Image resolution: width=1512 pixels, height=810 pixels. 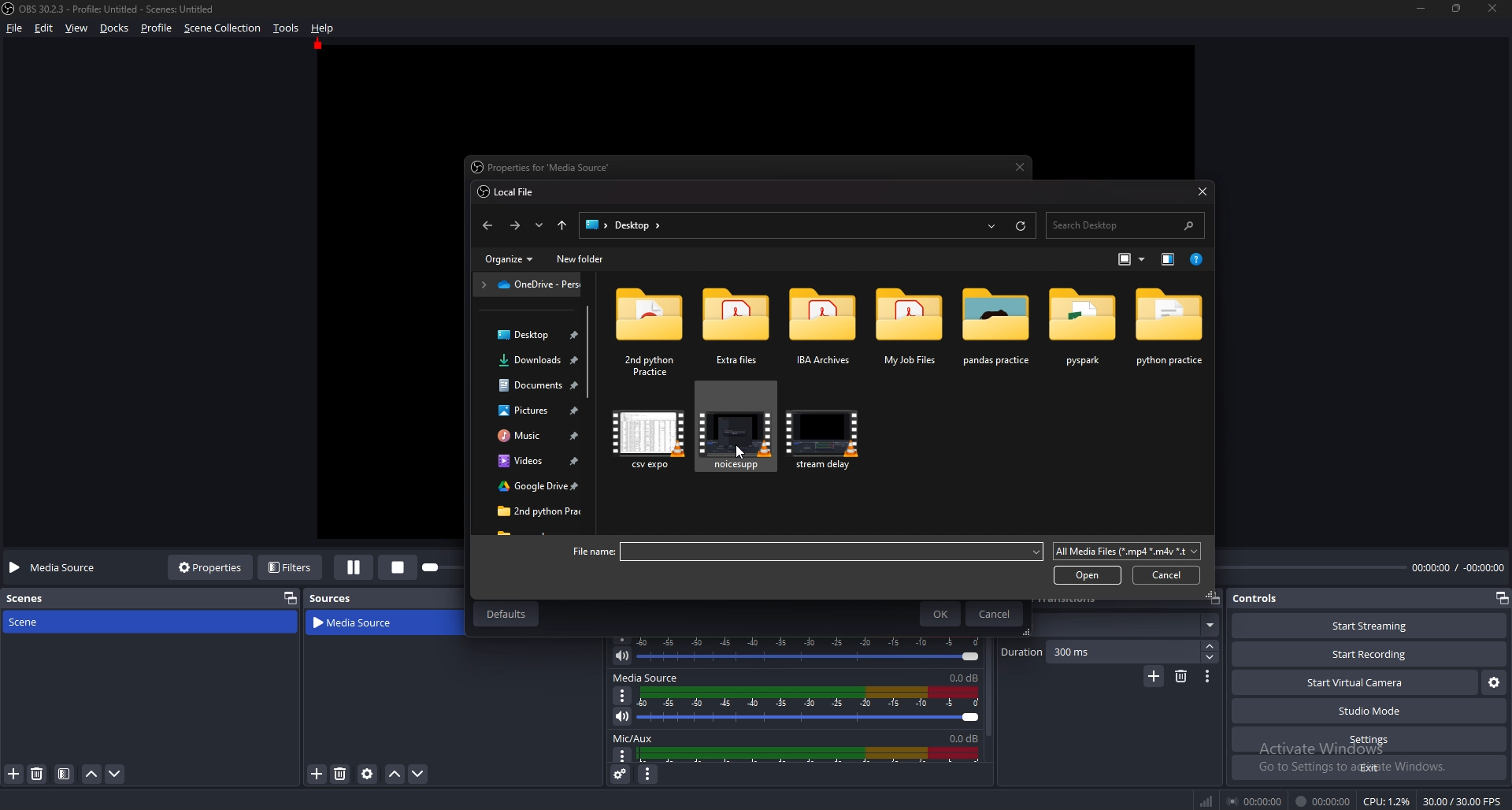 I want to click on video, so click(x=827, y=437).